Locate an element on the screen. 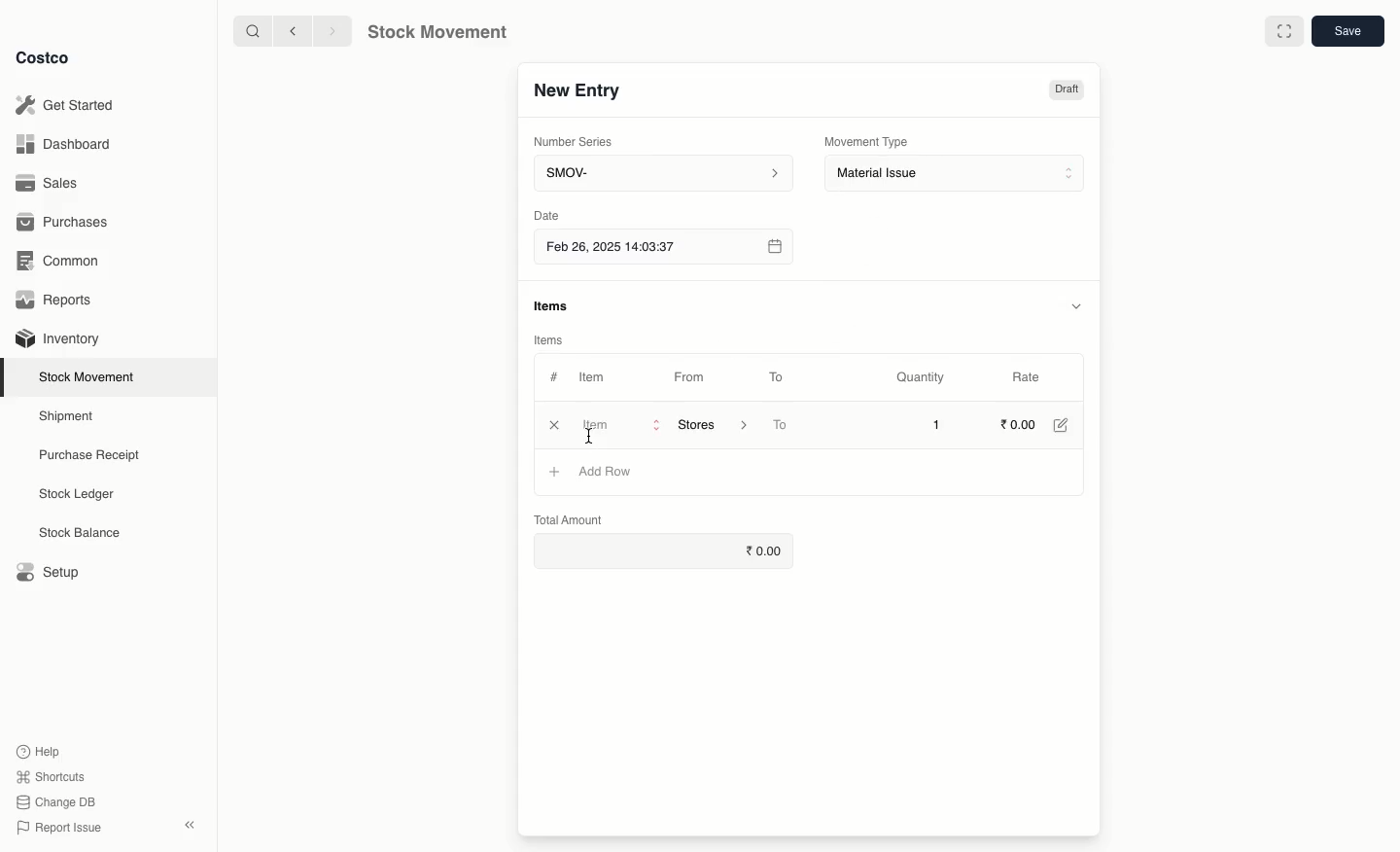  Add Row is located at coordinates (604, 472).